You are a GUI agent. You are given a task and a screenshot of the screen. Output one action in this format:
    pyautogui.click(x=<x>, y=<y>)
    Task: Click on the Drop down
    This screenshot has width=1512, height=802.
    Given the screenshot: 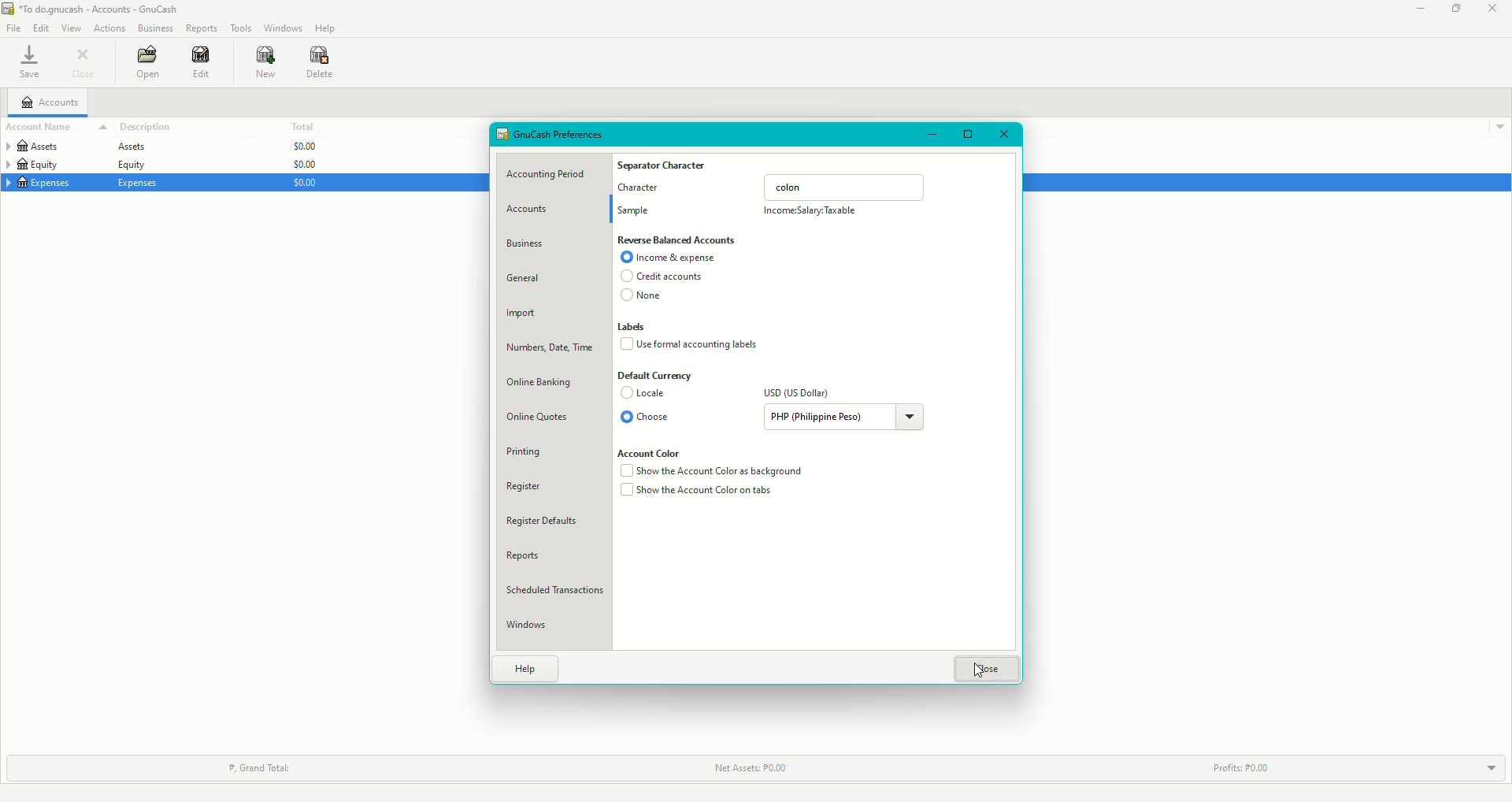 What is the action you would take?
    pyautogui.click(x=1488, y=768)
    